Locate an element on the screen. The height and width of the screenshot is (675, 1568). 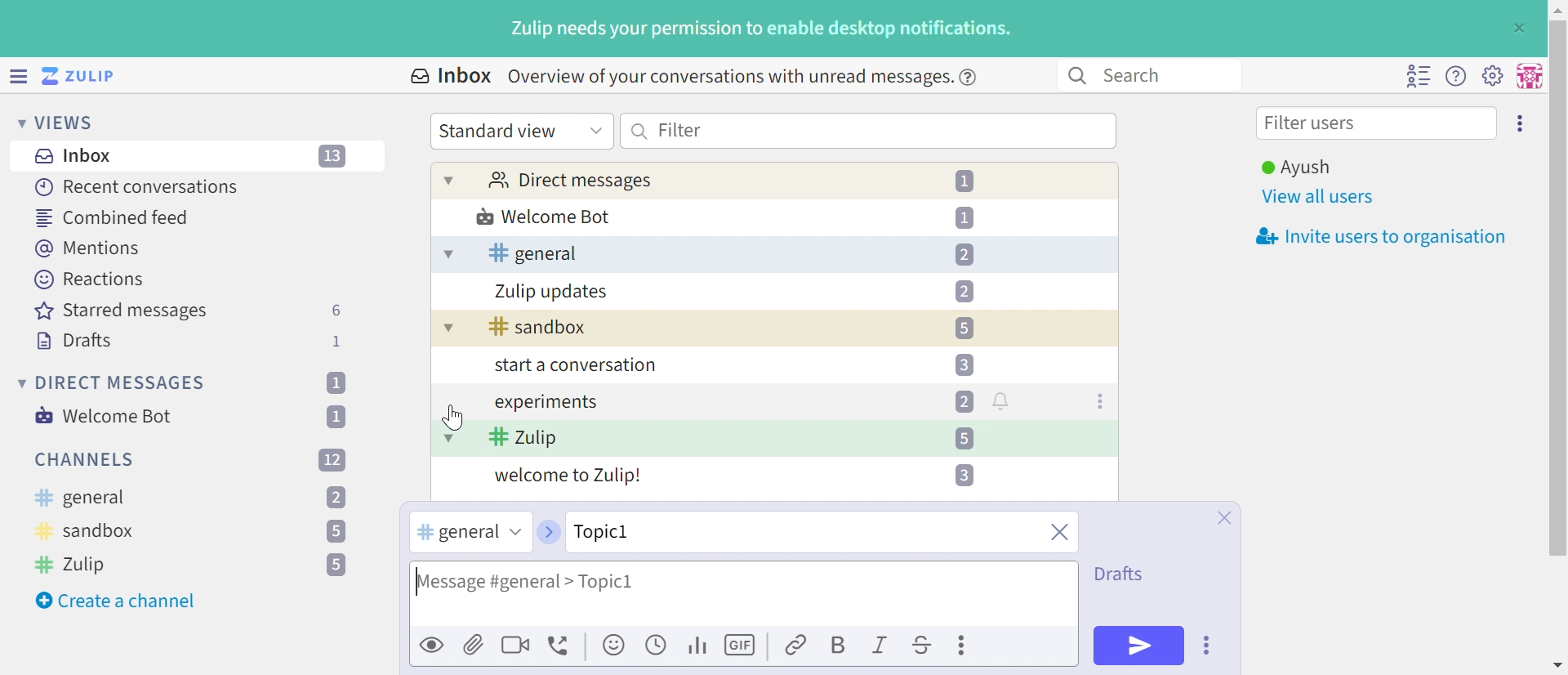
Hide left sidebar is located at coordinates (20, 76).